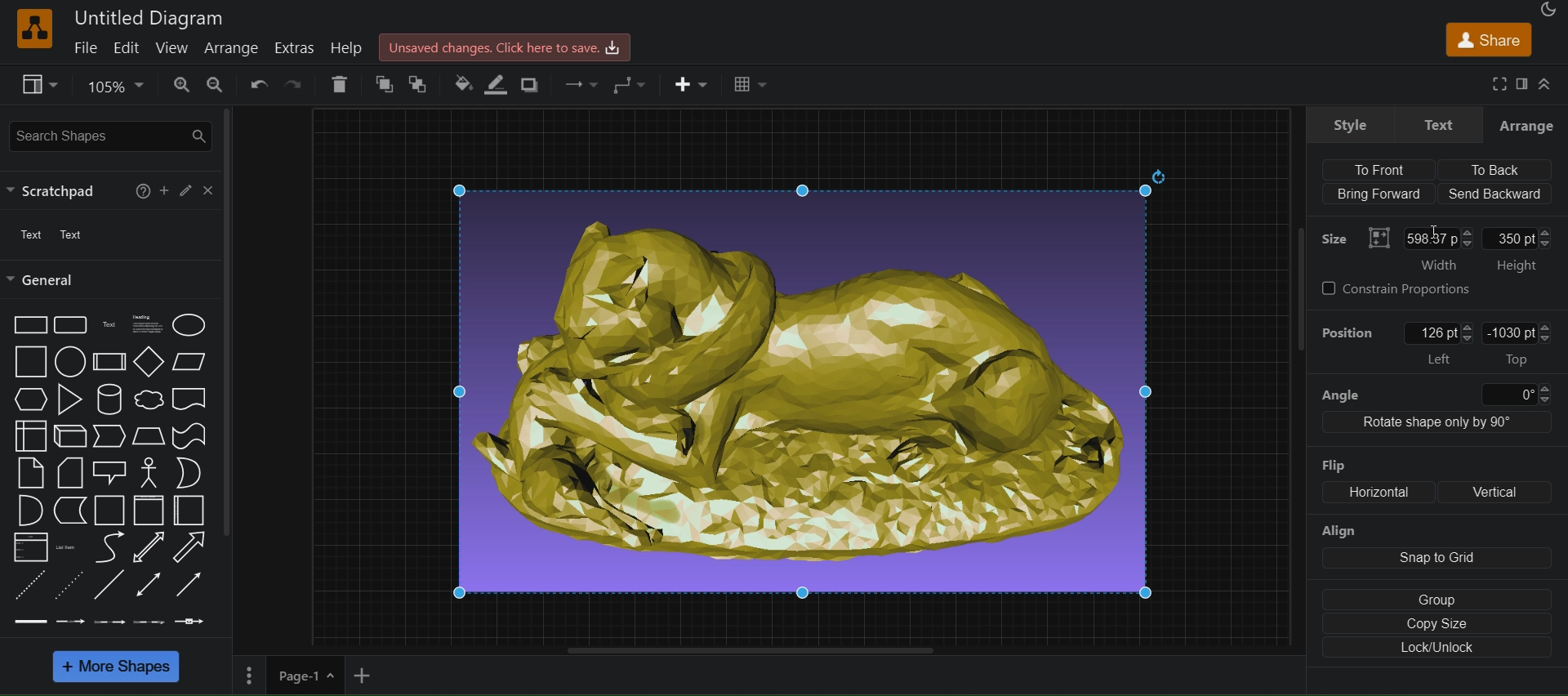 The width and height of the screenshot is (1568, 696). What do you see at coordinates (247, 678) in the screenshot?
I see `Menu` at bounding box center [247, 678].